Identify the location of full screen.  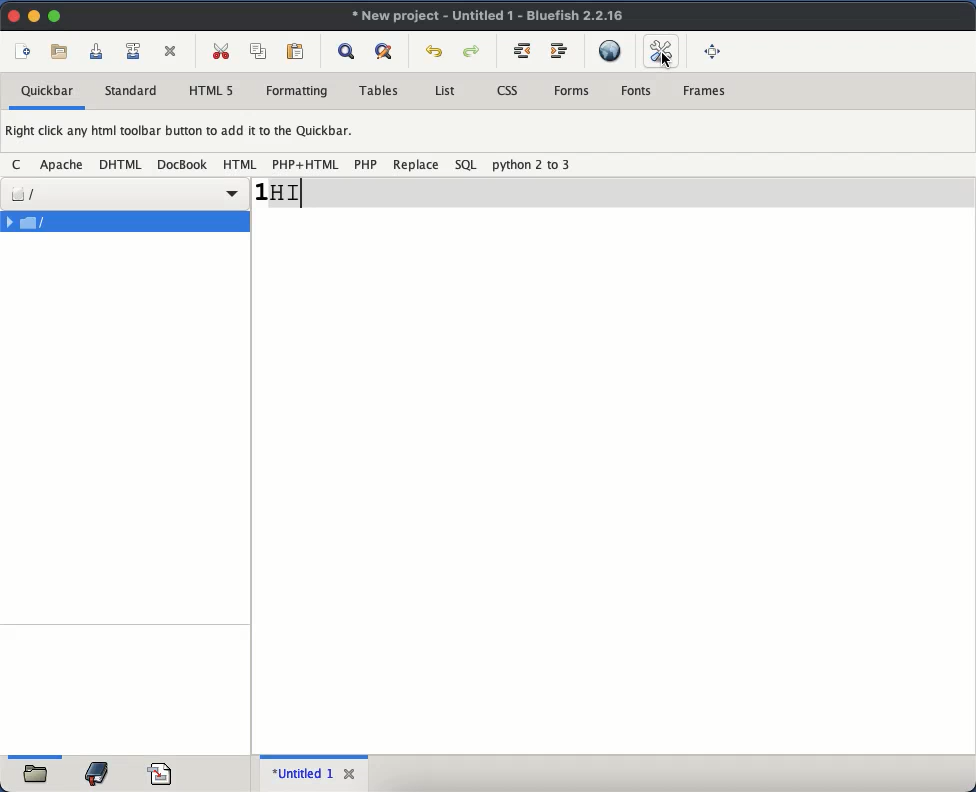
(713, 49).